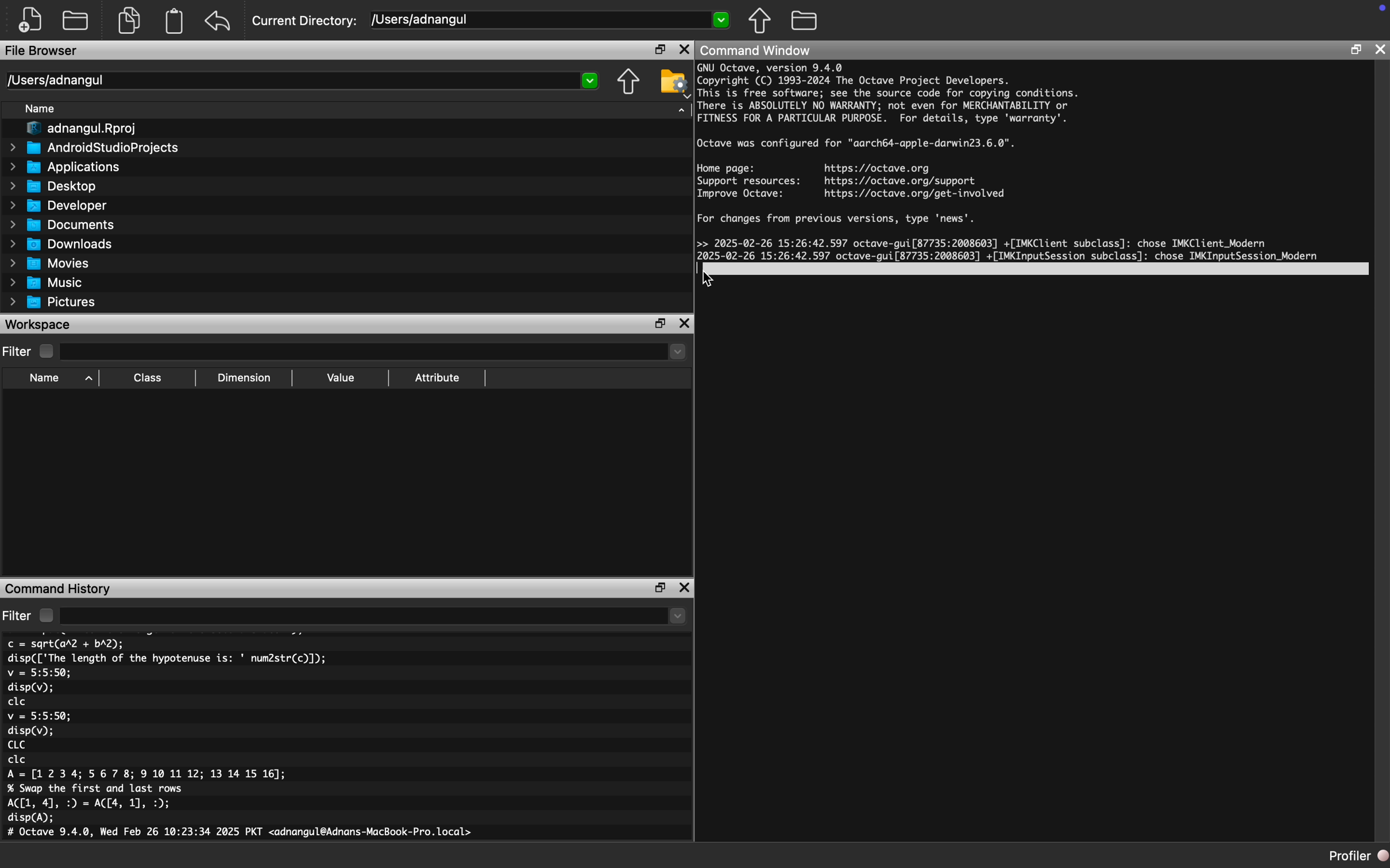 The image size is (1390, 868). Describe the element at coordinates (302, 80) in the screenshot. I see `/[Users/adnangul ` at that location.